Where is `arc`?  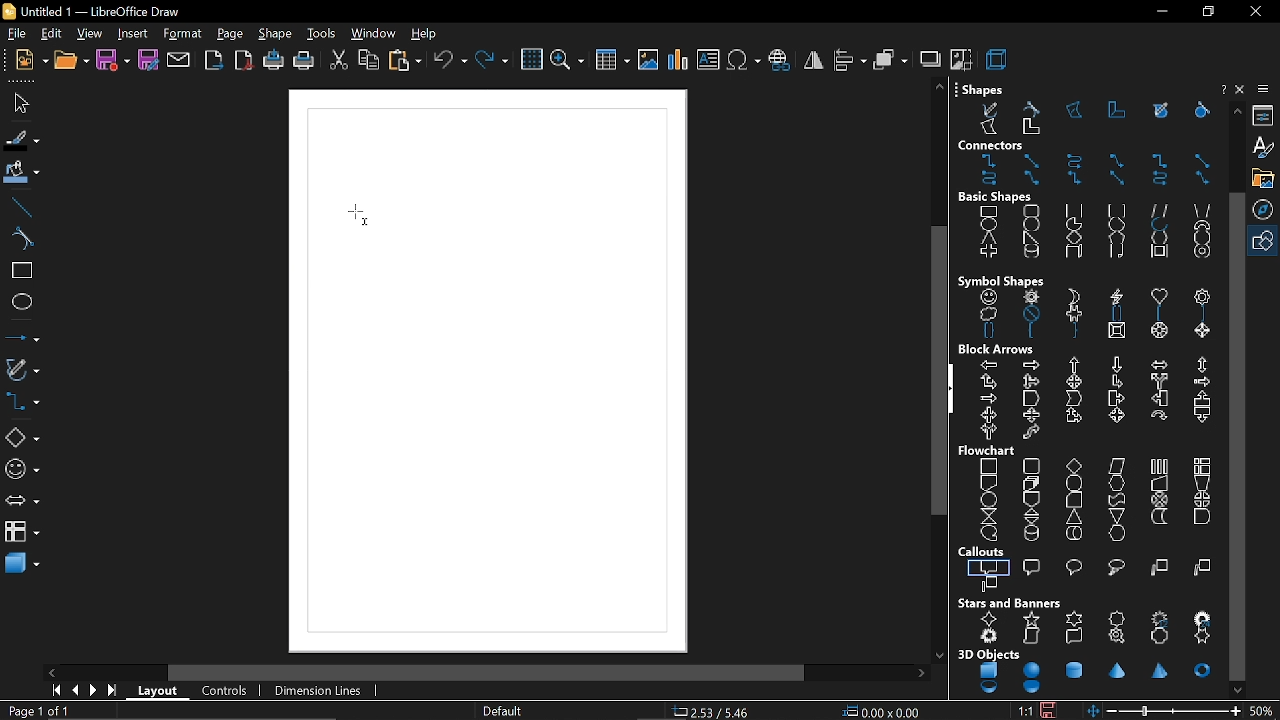 arc is located at coordinates (1158, 225).